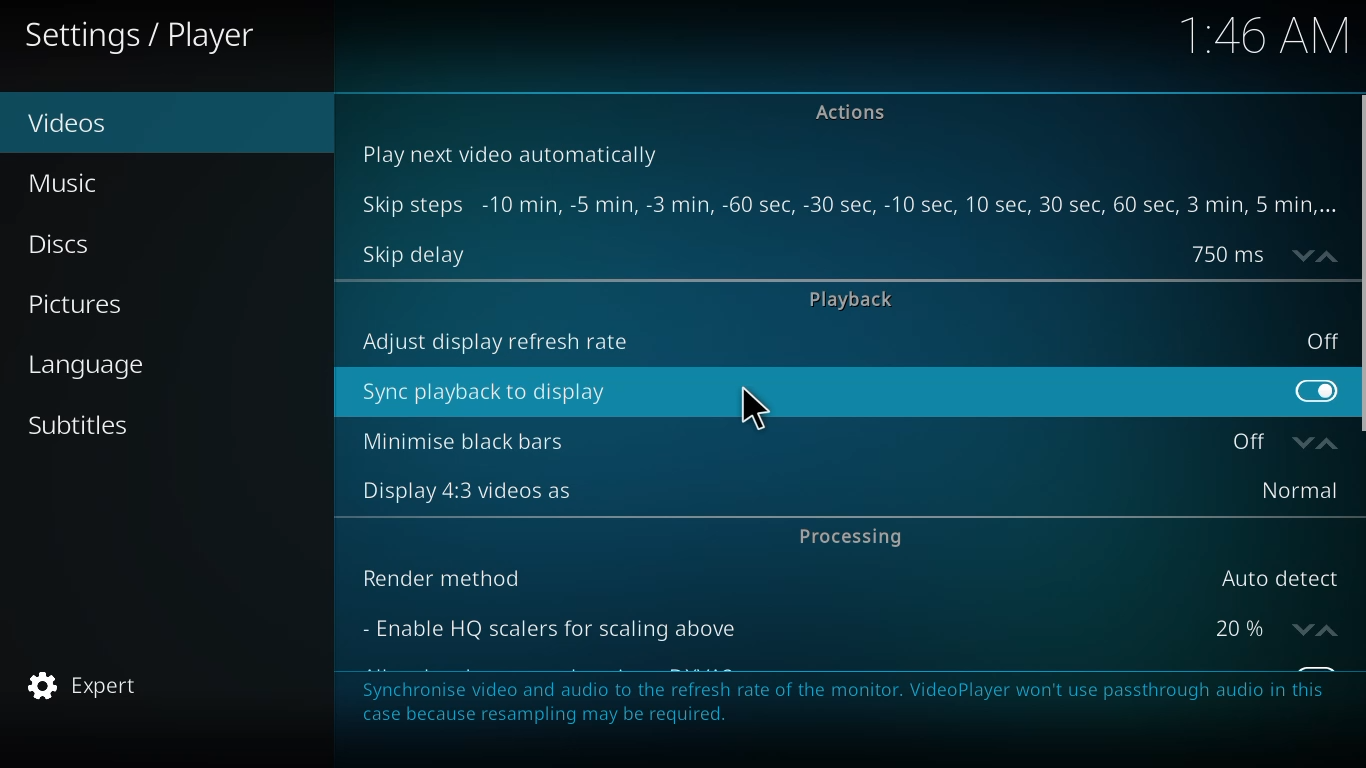  What do you see at coordinates (70, 247) in the screenshot?
I see `discs` at bounding box center [70, 247].